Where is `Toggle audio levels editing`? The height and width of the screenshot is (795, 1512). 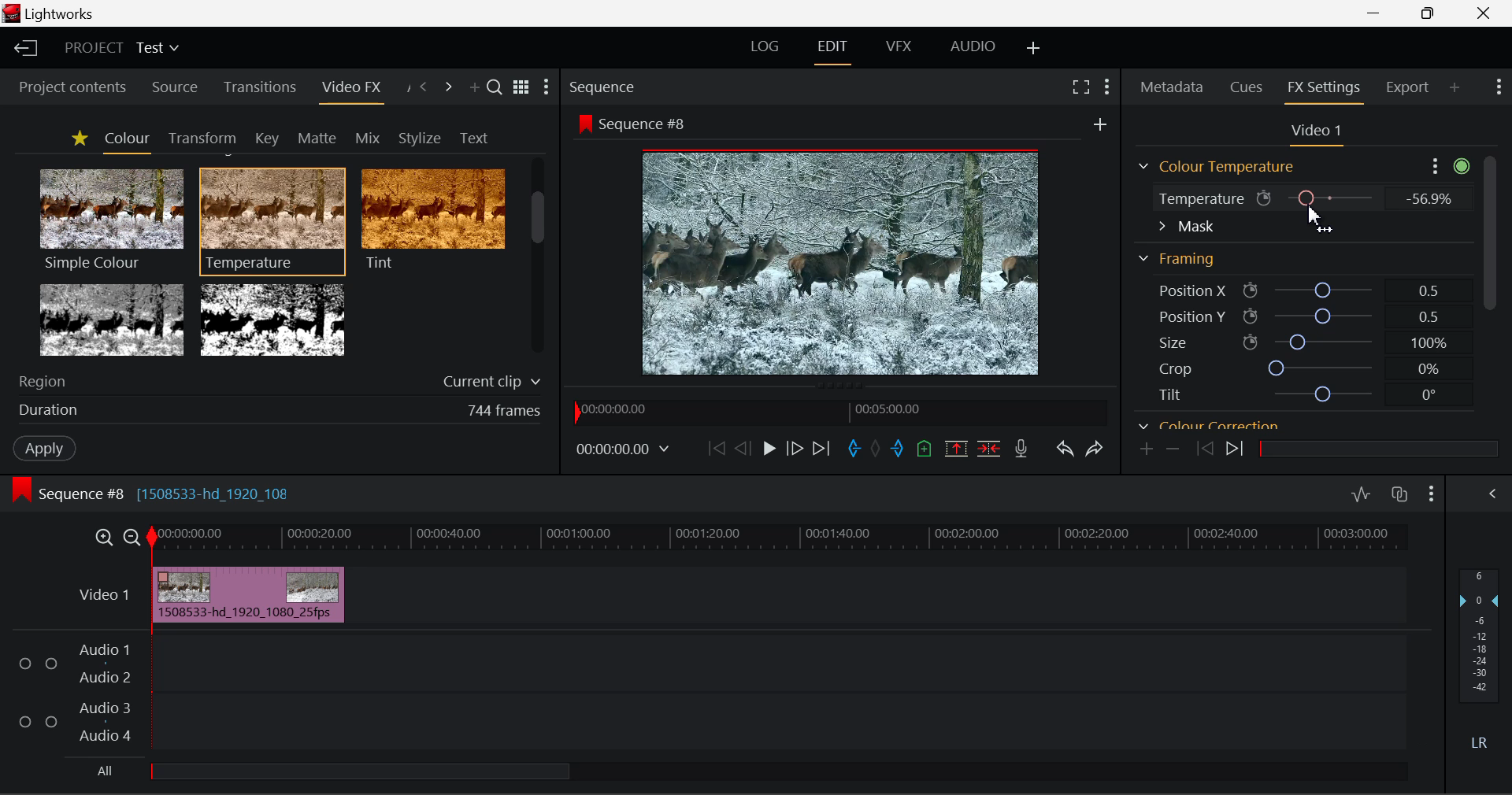 Toggle audio levels editing is located at coordinates (1360, 492).